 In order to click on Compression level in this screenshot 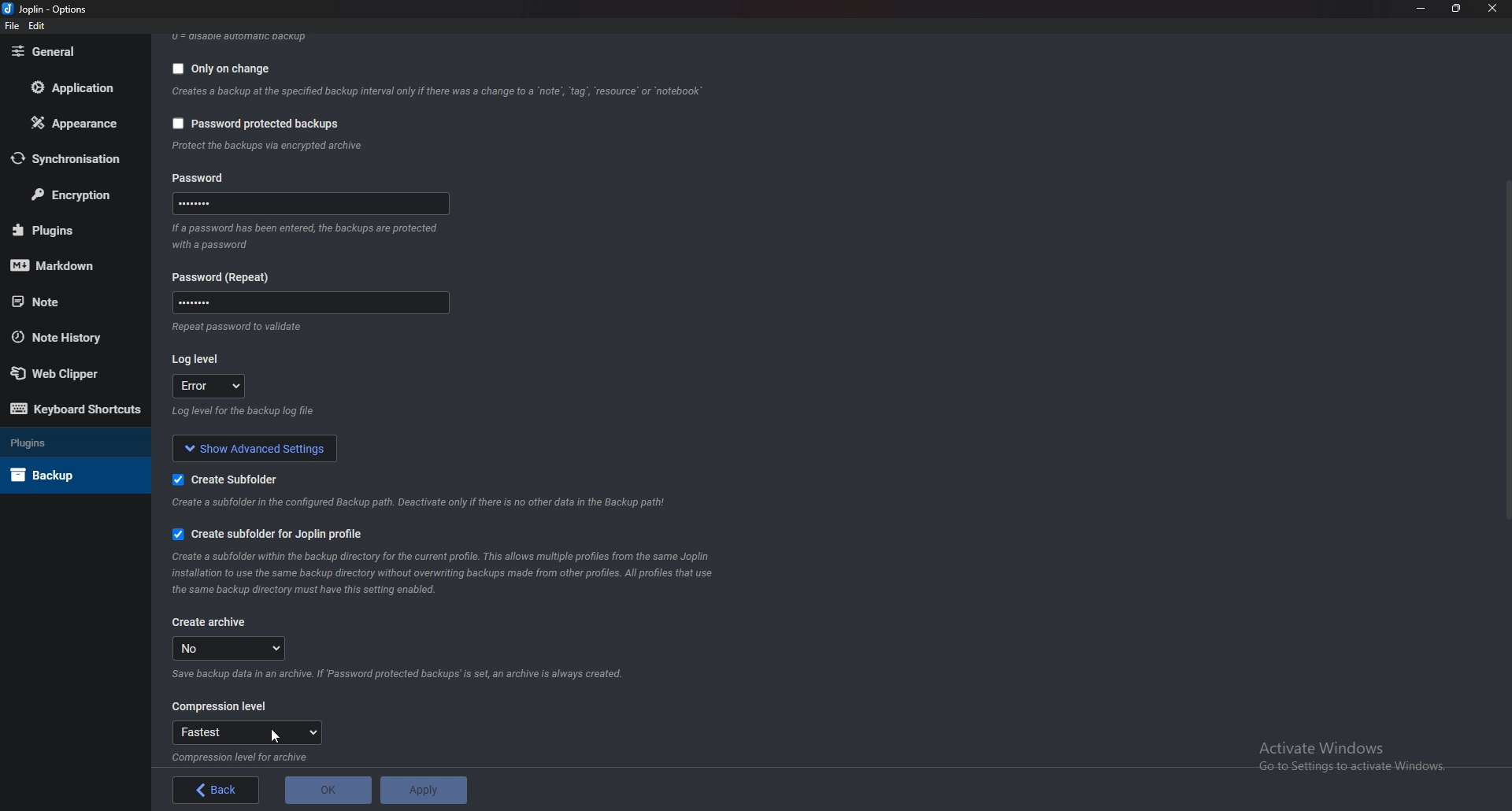, I will do `click(217, 706)`.